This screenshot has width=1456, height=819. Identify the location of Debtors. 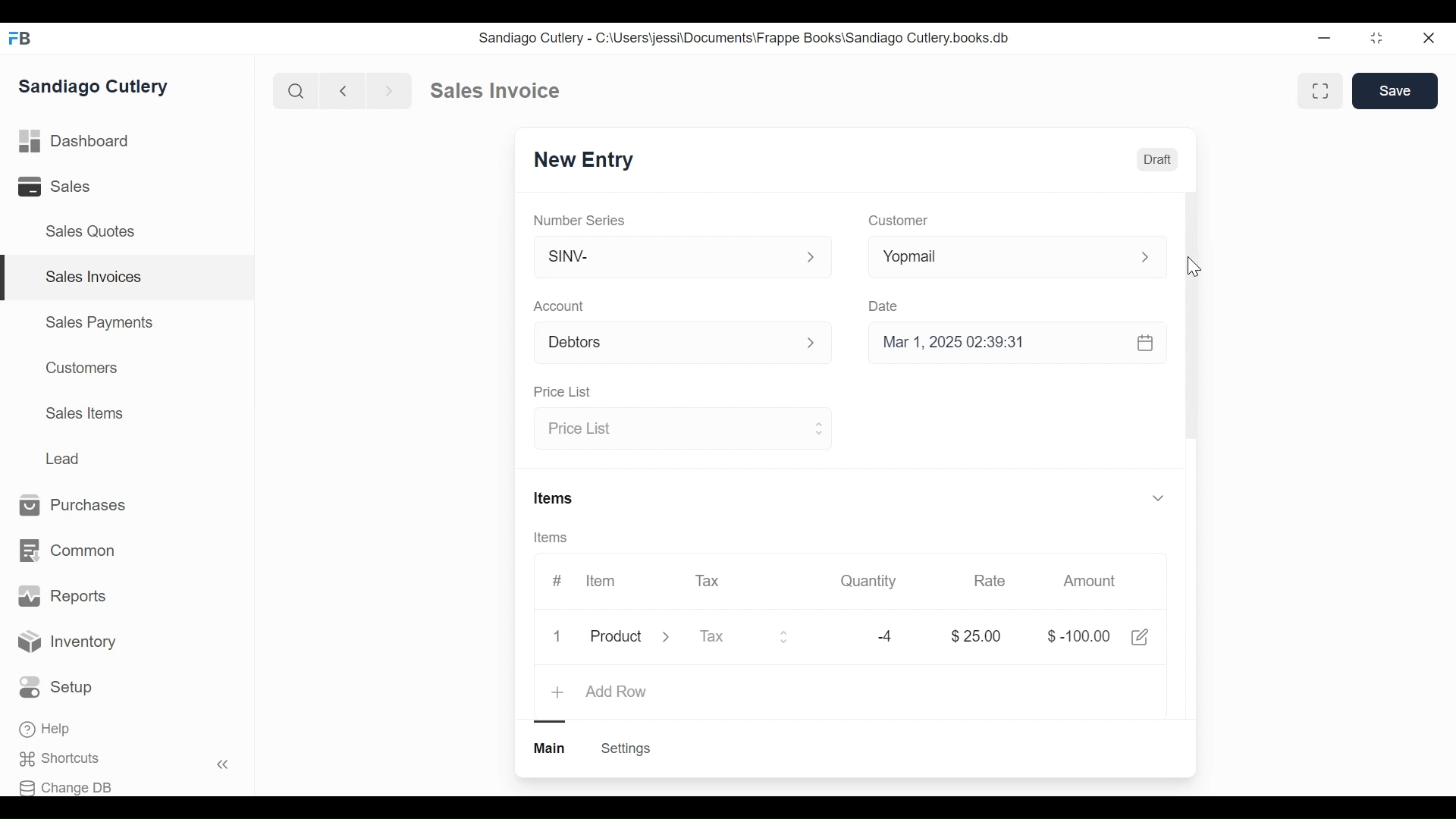
(673, 341).